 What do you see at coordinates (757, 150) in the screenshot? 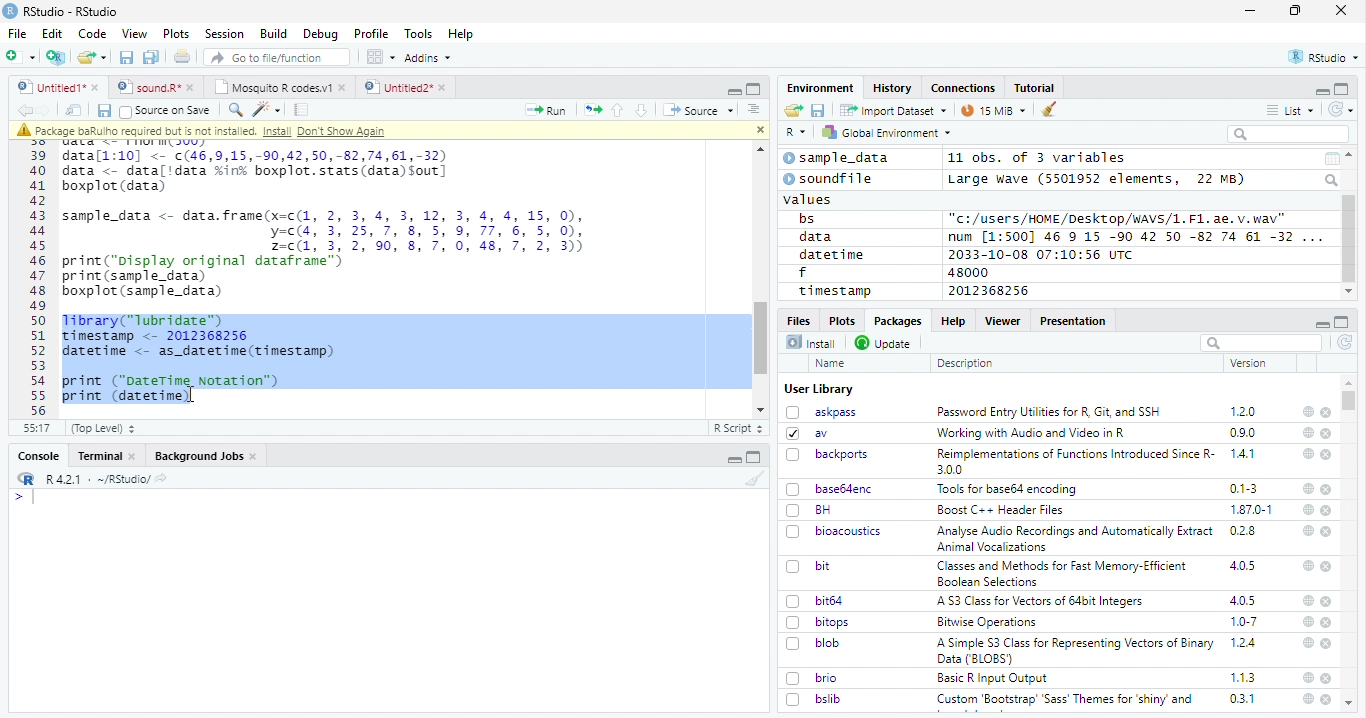
I see `scroll up` at bounding box center [757, 150].